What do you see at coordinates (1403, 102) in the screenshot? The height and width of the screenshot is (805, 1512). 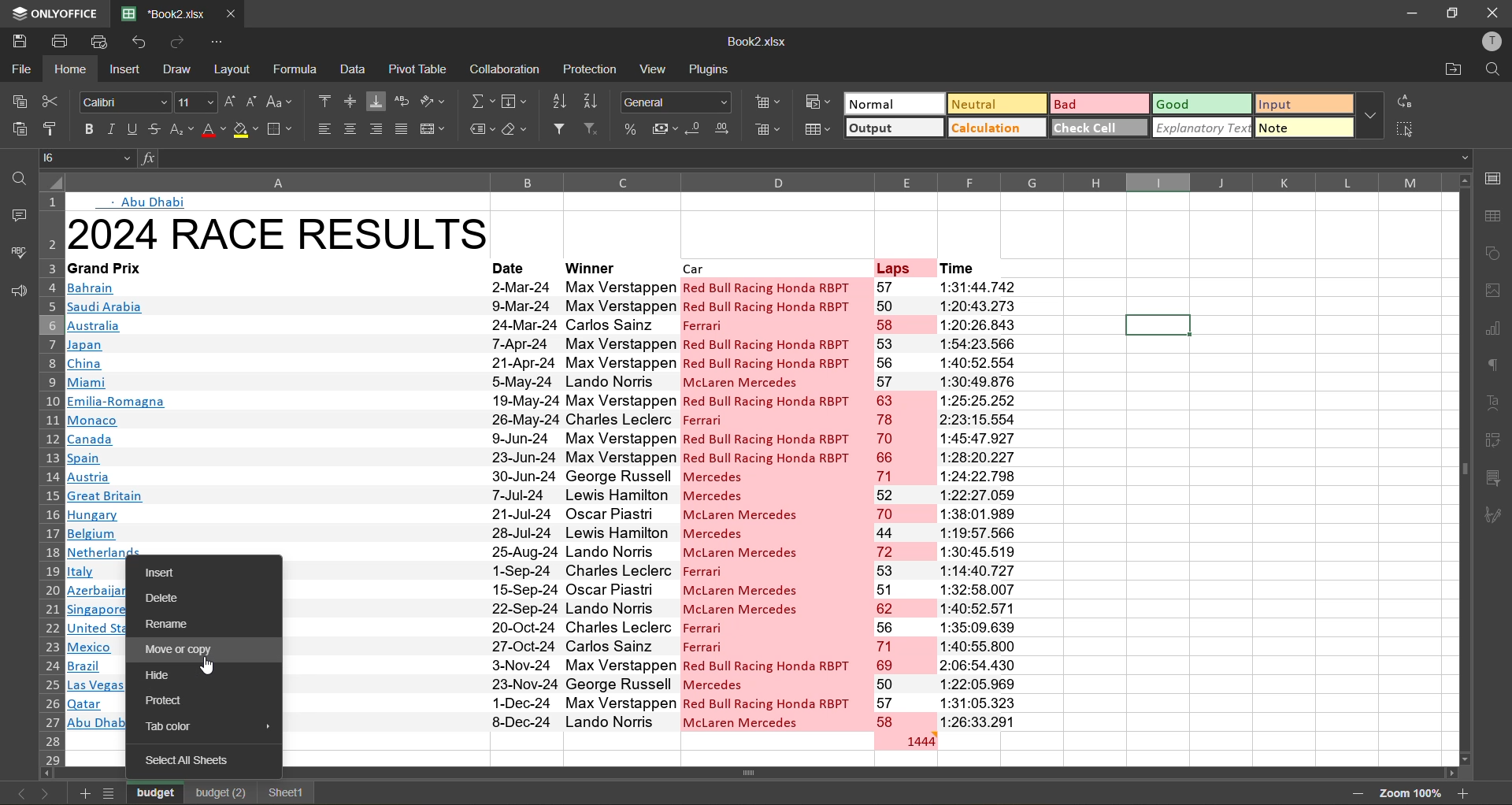 I see `replace` at bounding box center [1403, 102].